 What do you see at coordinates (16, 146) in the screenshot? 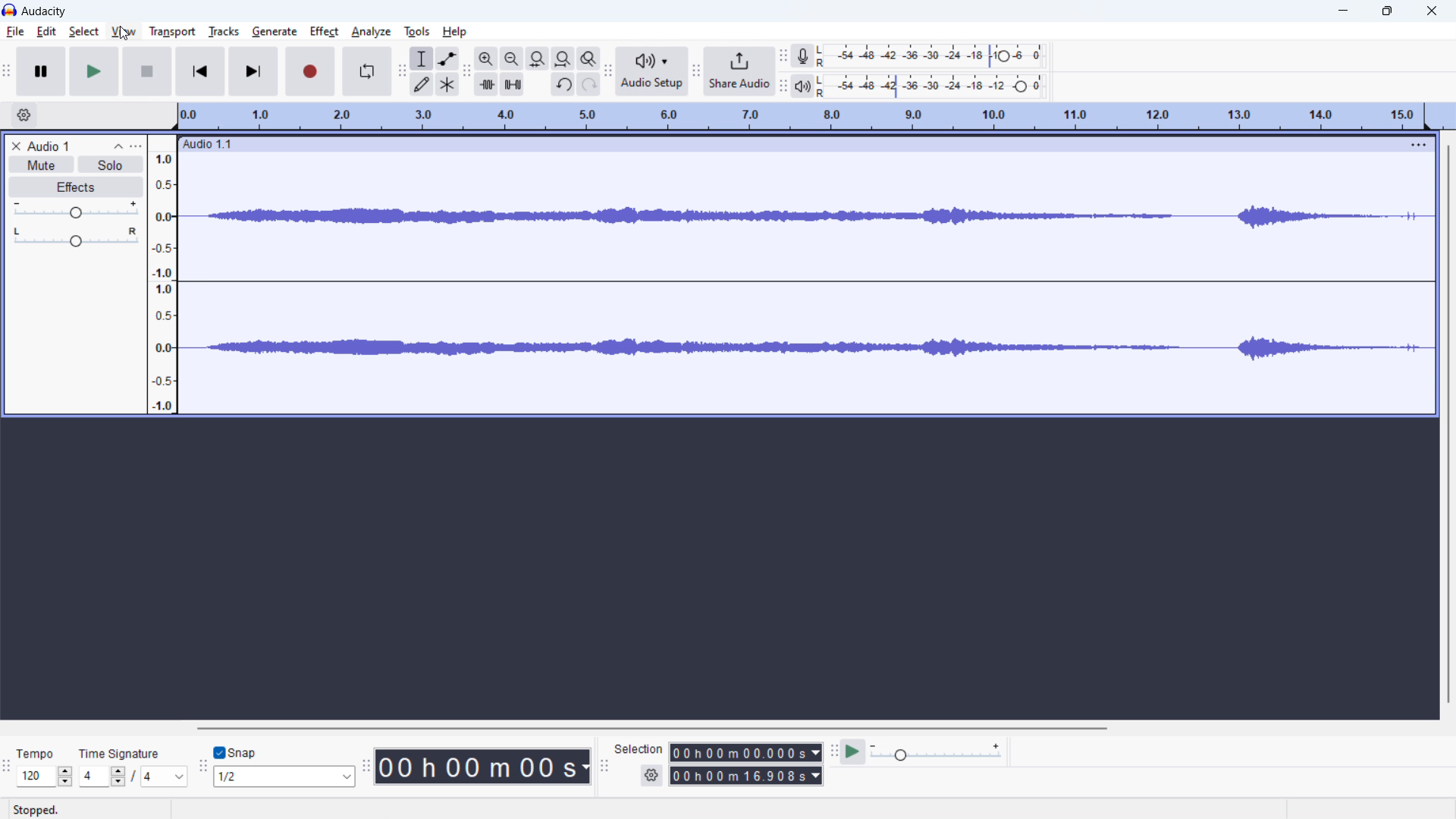
I see `delete` at bounding box center [16, 146].